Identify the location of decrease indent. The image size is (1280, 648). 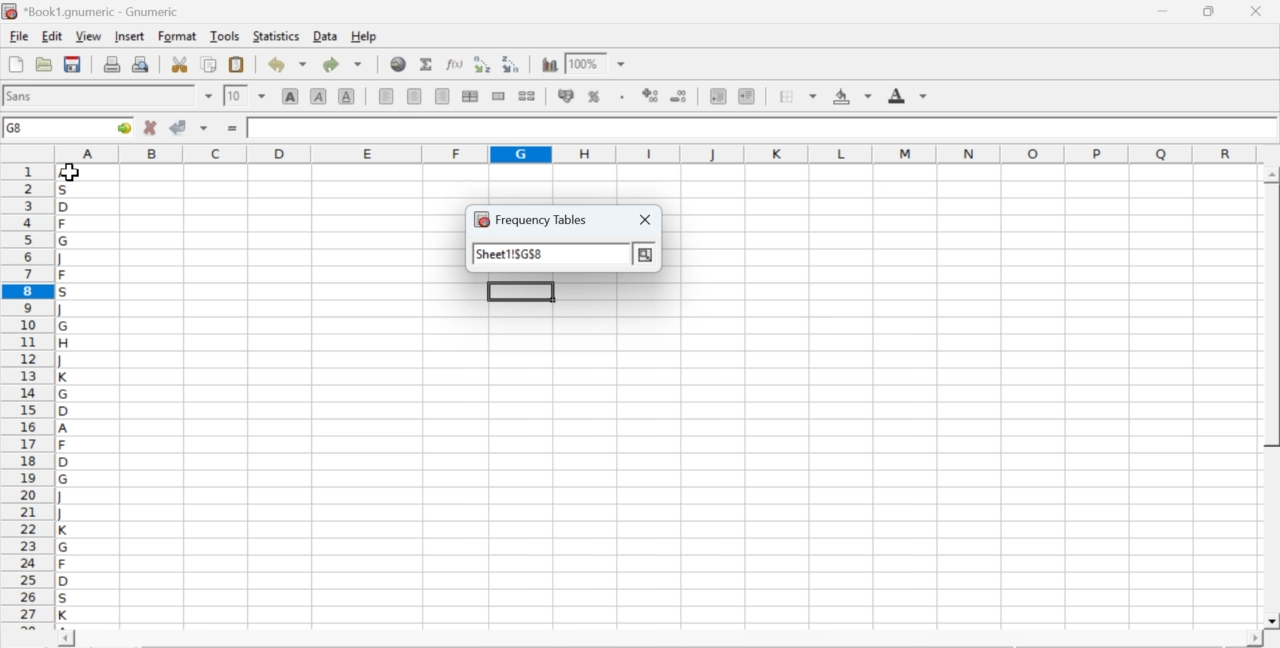
(718, 95).